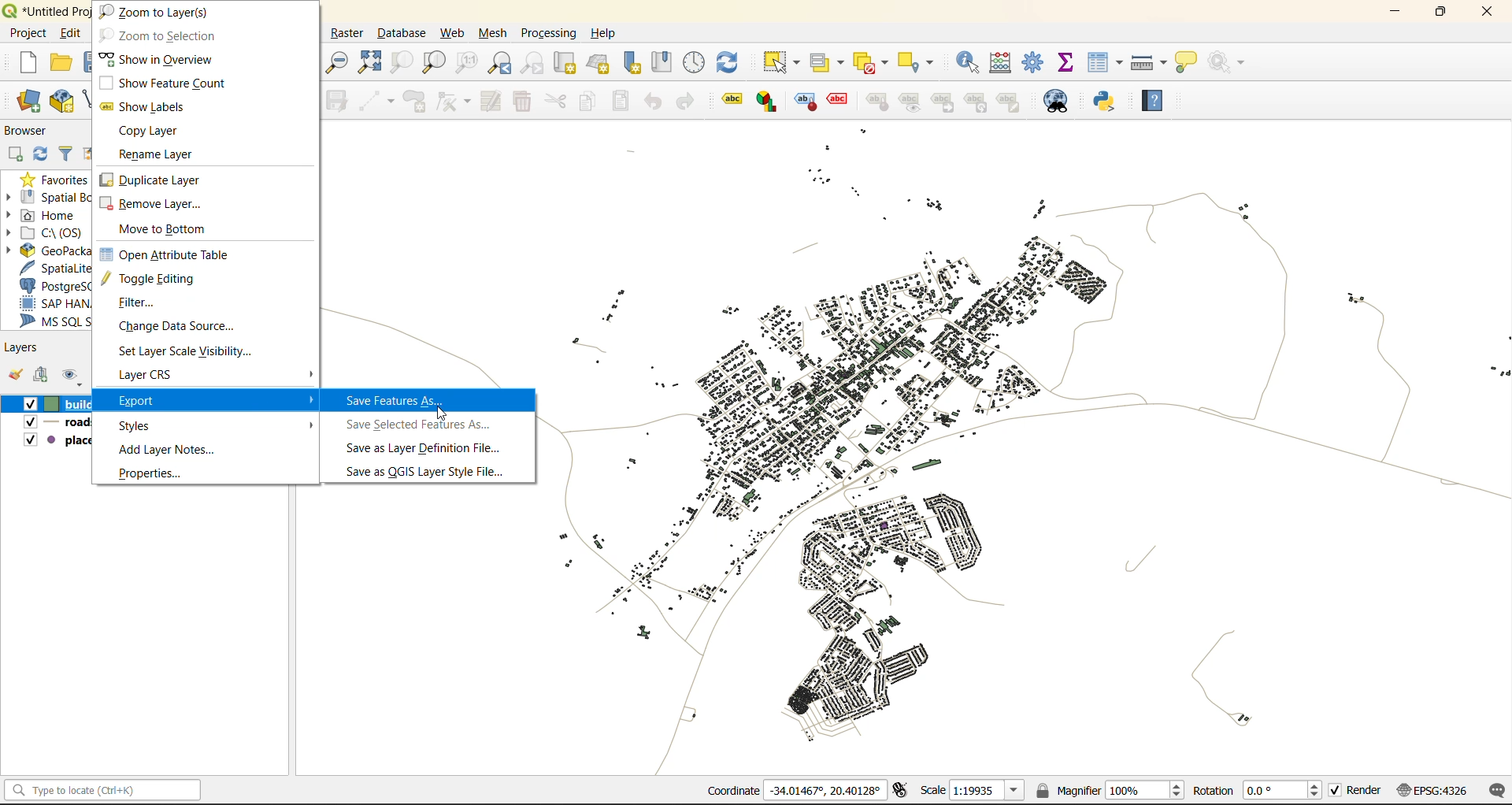 The width and height of the screenshot is (1512, 805). Describe the element at coordinates (405, 32) in the screenshot. I see `database` at that location.